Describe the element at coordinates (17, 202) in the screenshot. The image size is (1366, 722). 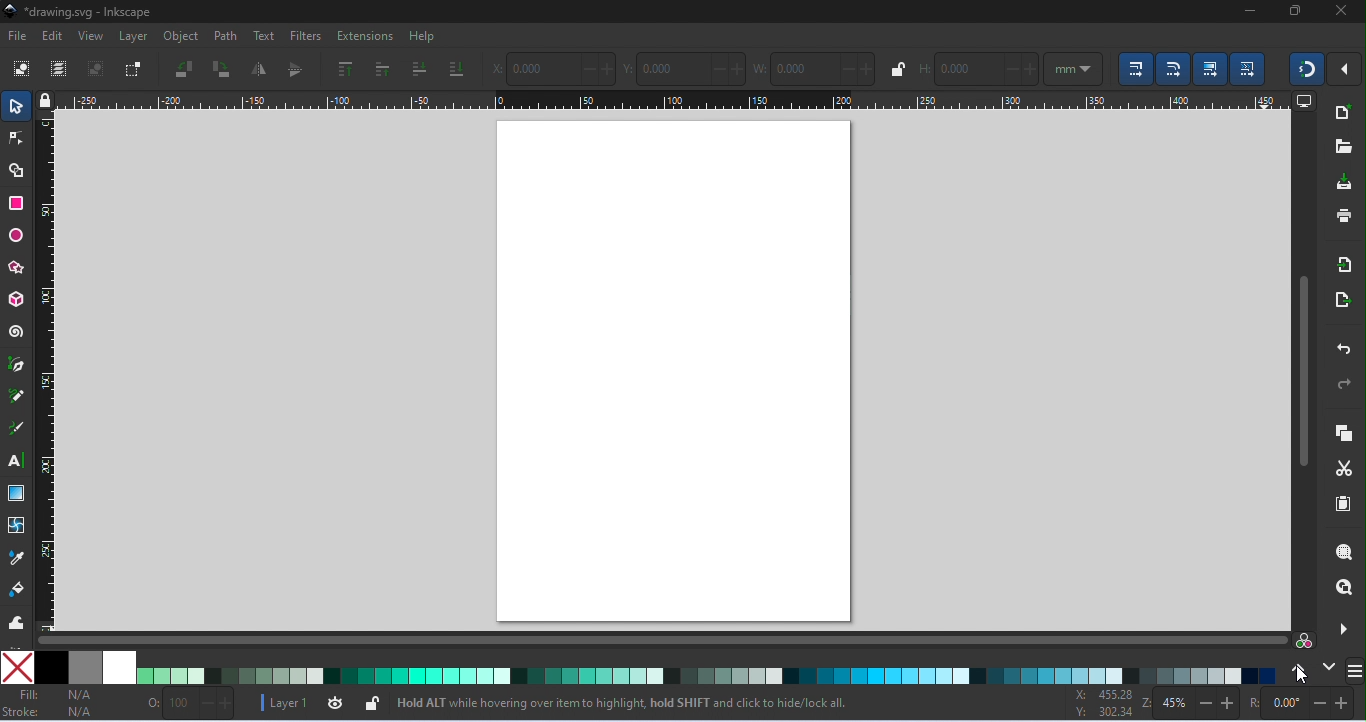
I see `rectangle` at that location.